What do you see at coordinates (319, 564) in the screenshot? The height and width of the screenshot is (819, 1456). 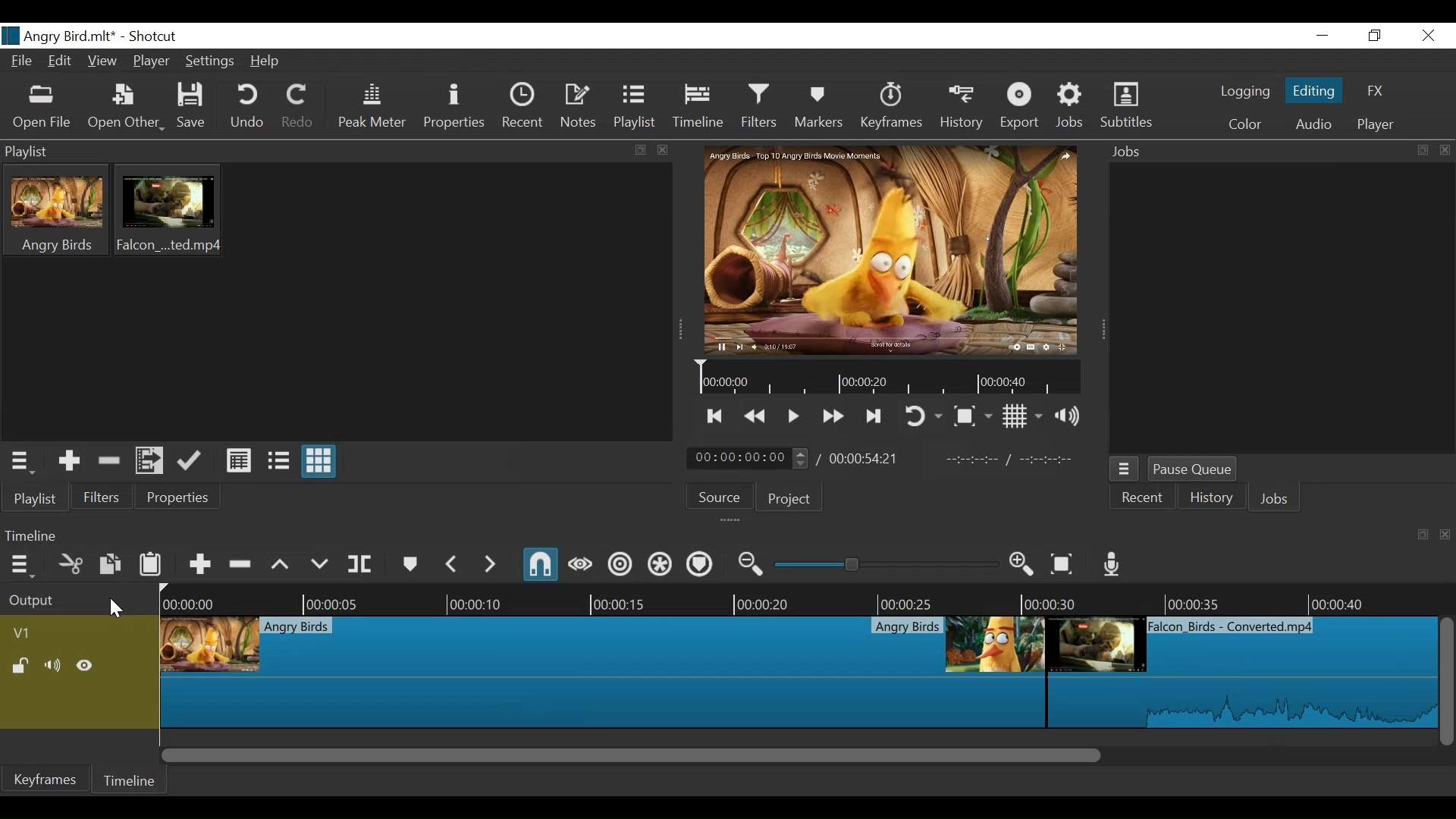 I see `Overwrite` at bounding box center [319, 564].